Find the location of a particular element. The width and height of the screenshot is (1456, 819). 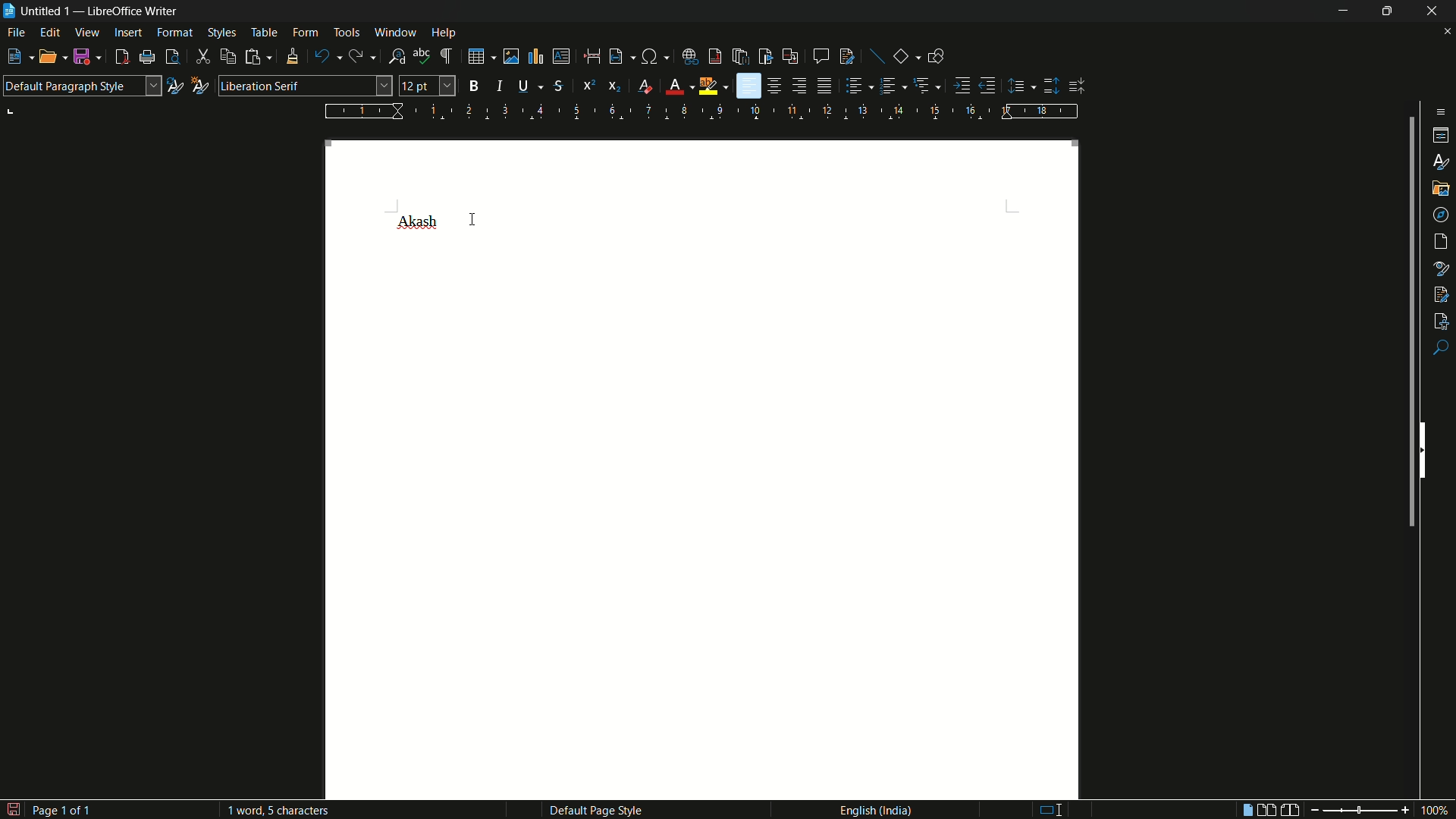

insert cross reference is located at coordinates (789, 57).